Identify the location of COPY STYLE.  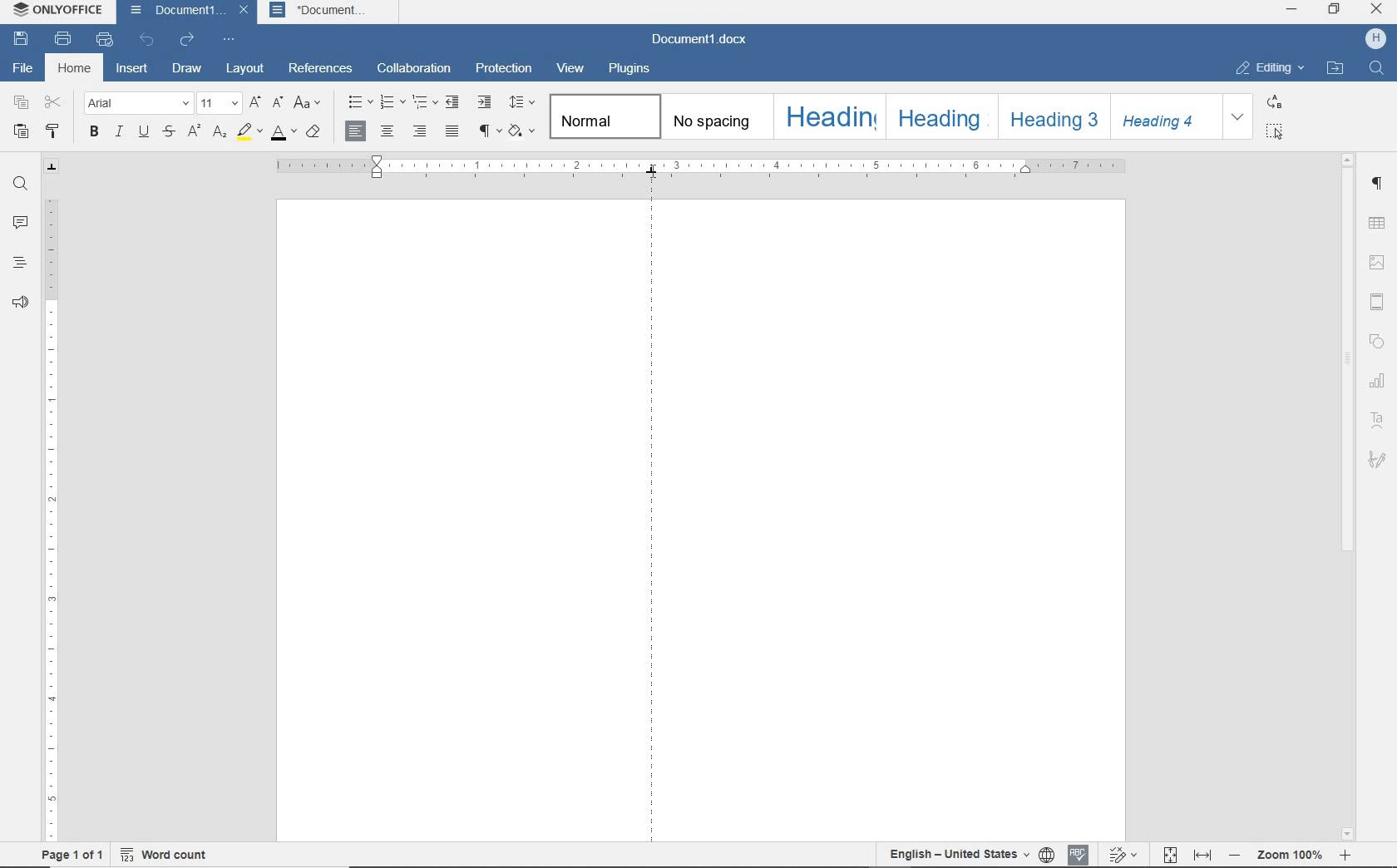
(52, 131).